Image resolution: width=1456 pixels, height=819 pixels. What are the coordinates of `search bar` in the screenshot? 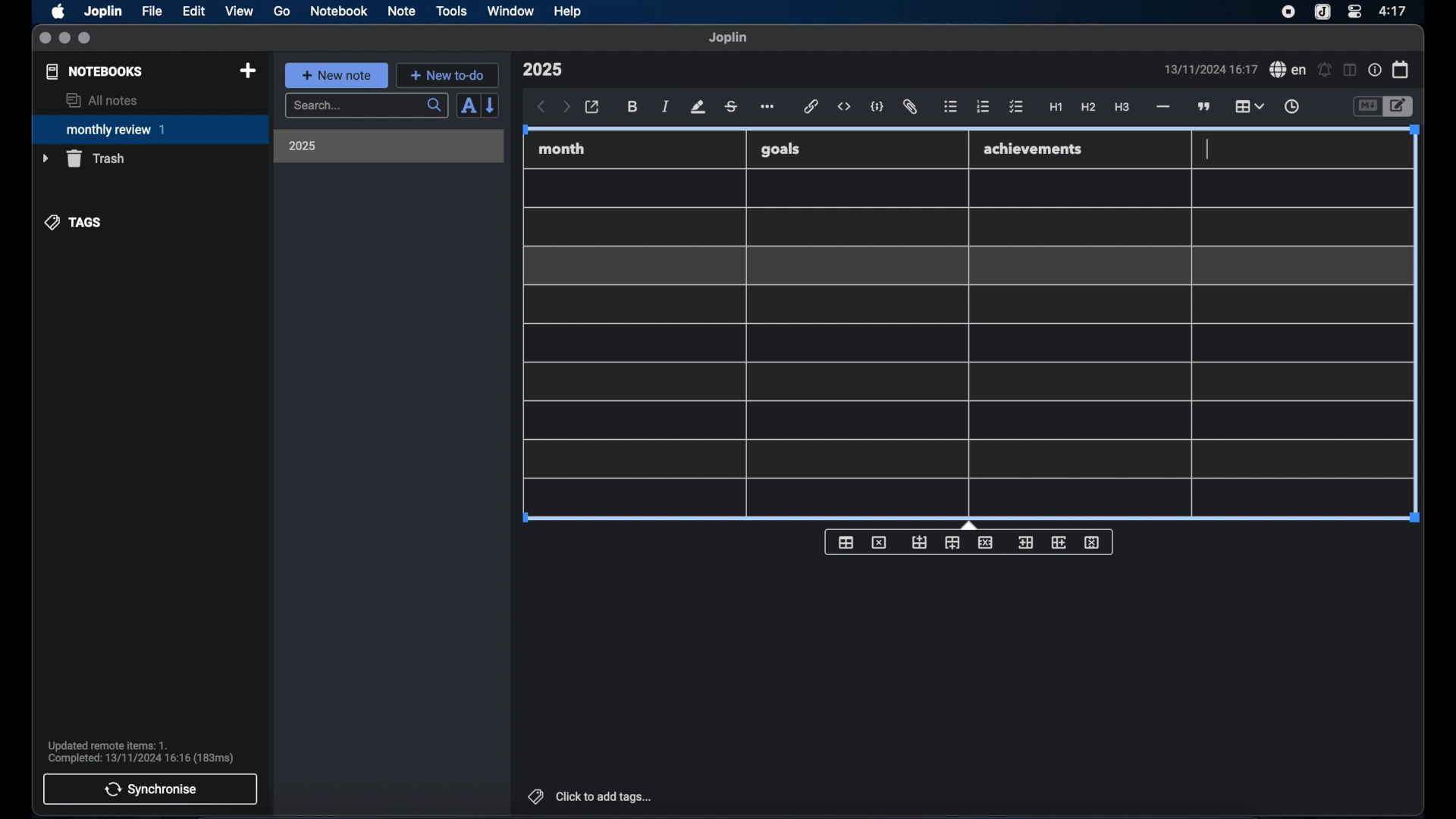 It's located at (366, 107).